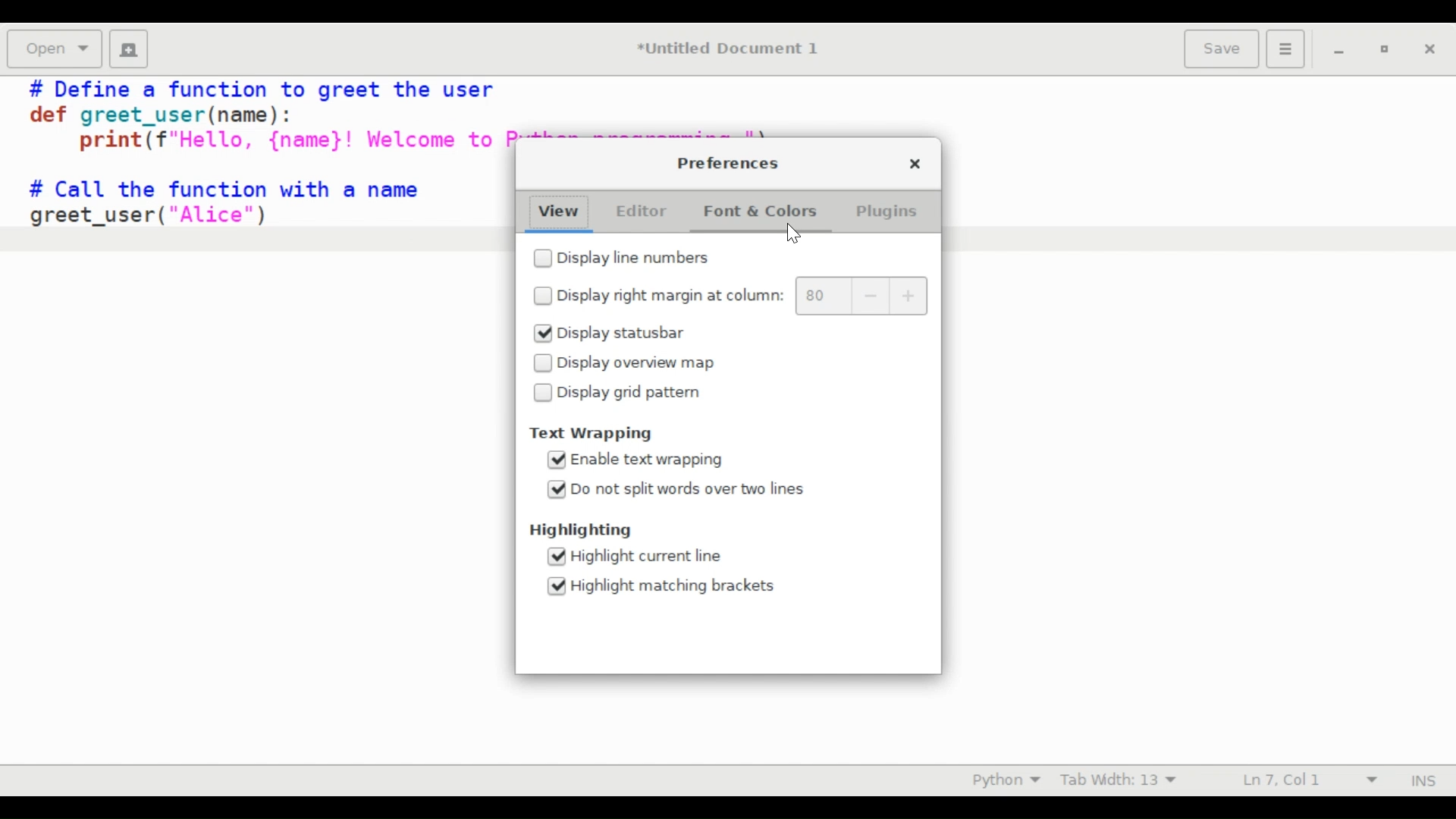 This screenshot has width=1456, height=819. I want to click on Preferences, so click(1288, 48).